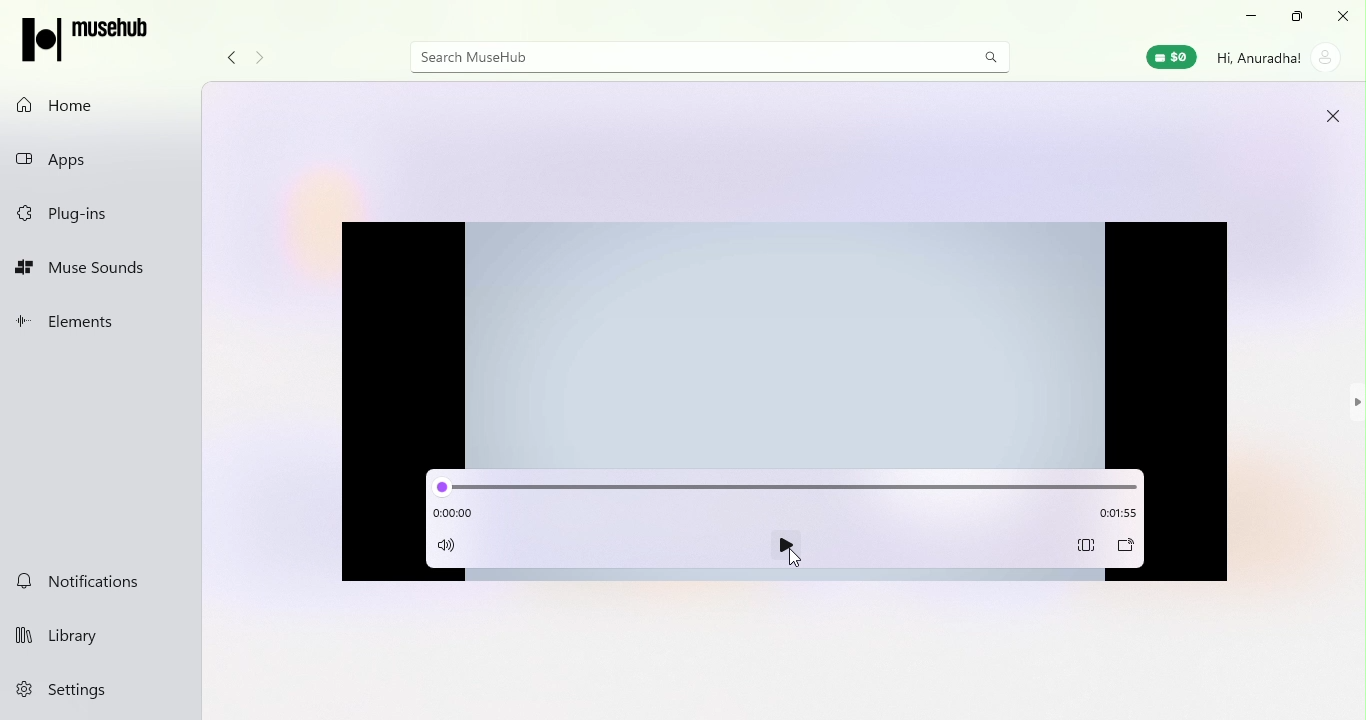  Describe the element at coordinates (785, 544) in the screenshot. I see `play` at that location.